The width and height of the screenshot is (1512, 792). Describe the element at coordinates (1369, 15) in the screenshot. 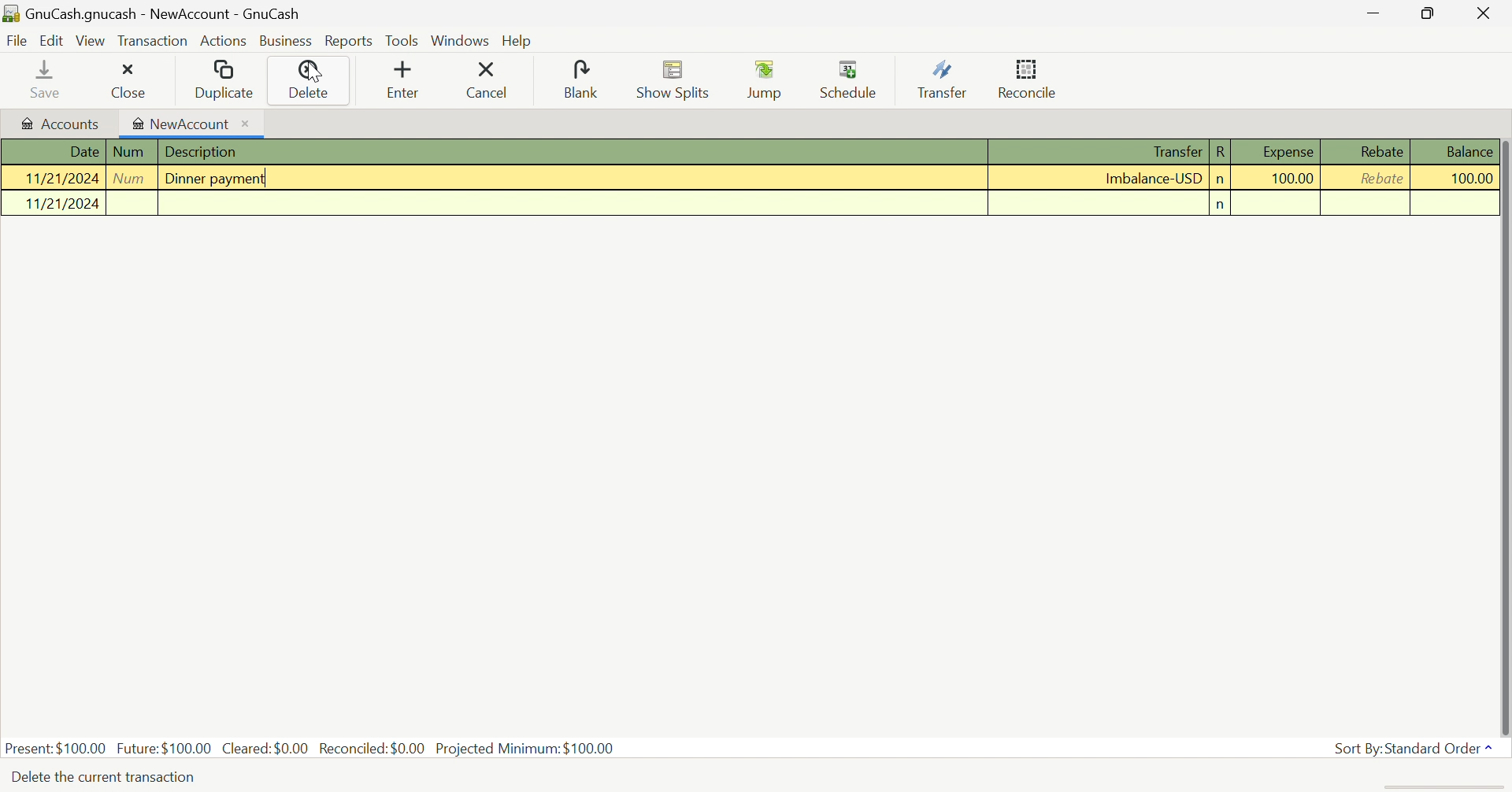

I see `Minimize` at that location.